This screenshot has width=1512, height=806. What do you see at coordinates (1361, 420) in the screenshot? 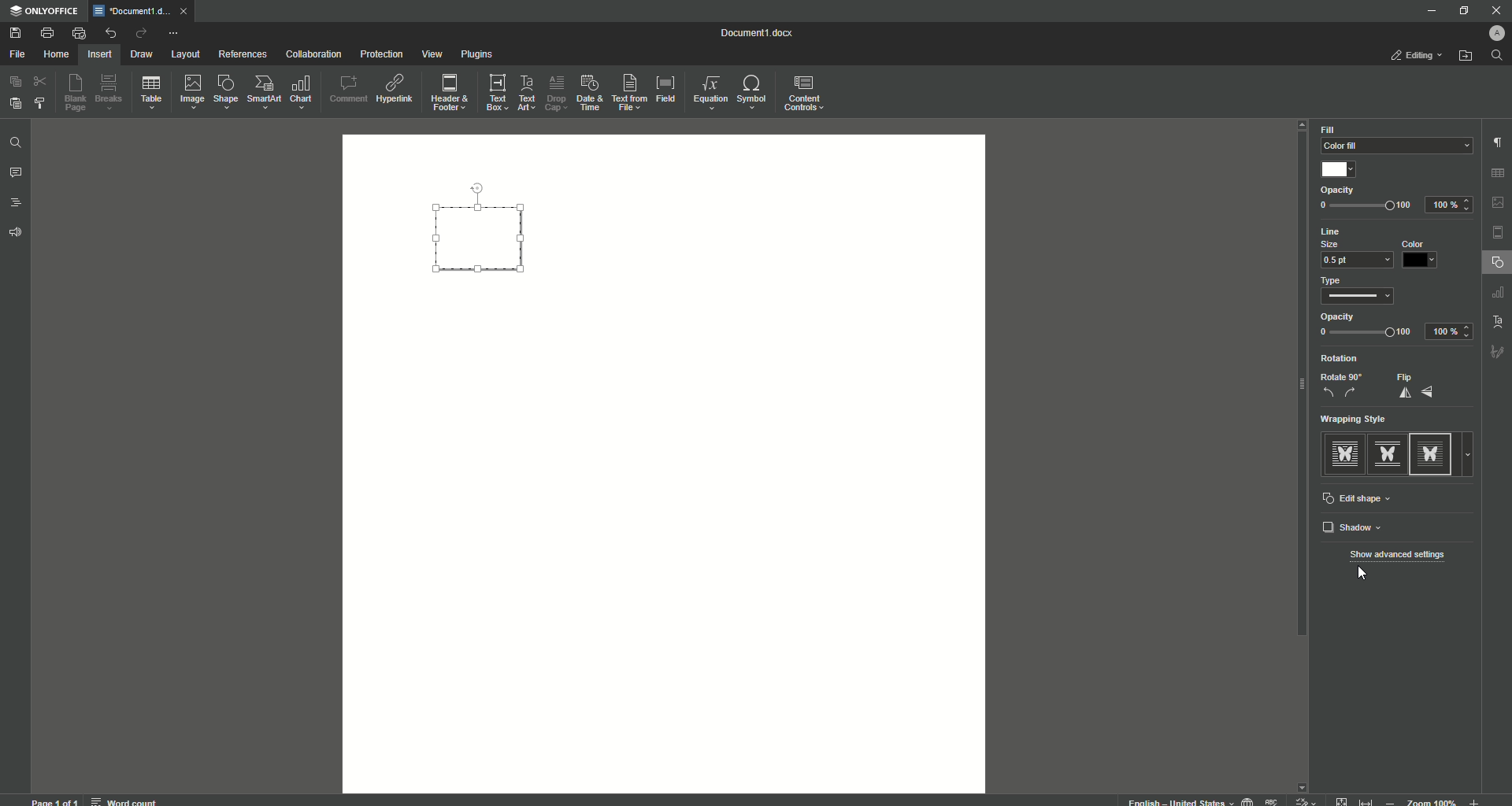
I see `Wrapping Style` at bounding box center [1361, 420].